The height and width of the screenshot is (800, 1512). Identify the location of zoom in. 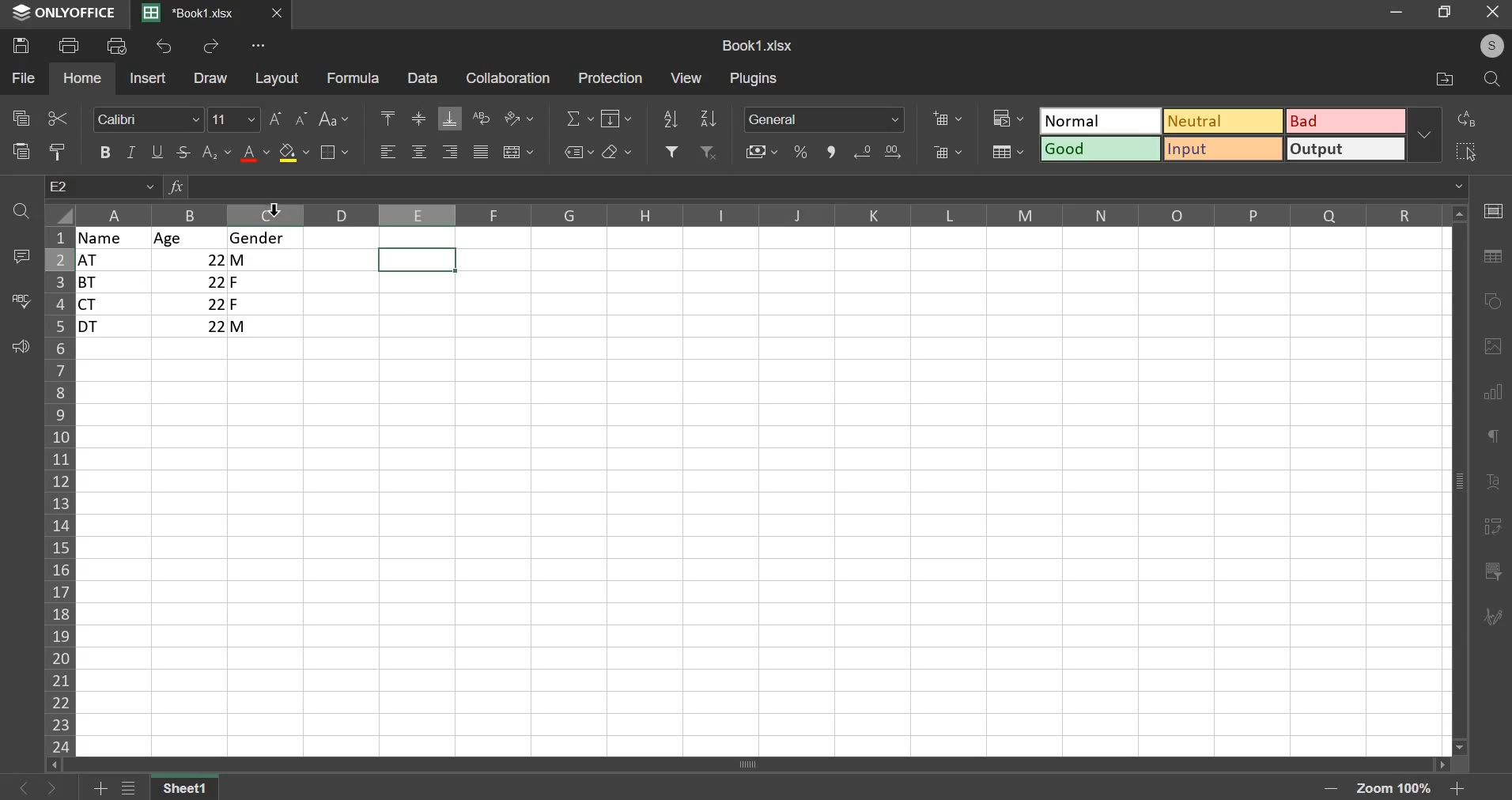
(1454, 790).